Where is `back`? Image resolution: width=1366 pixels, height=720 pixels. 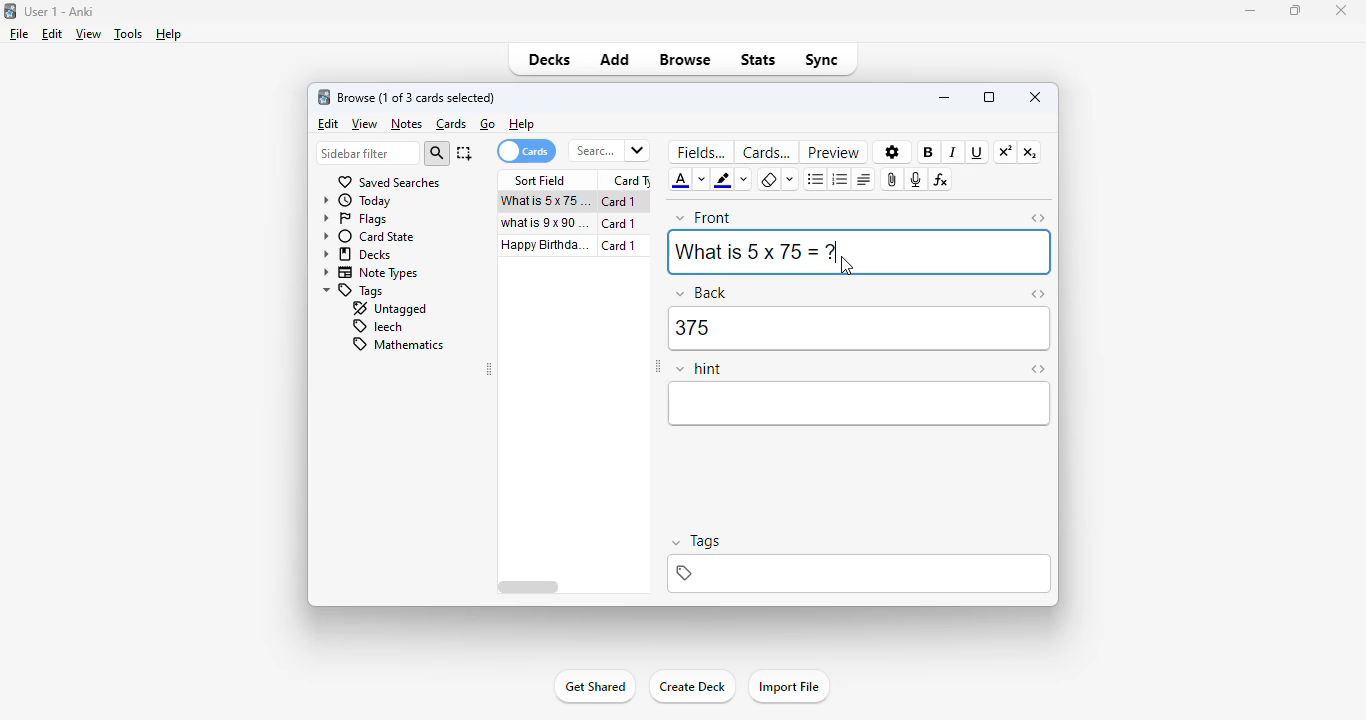
back is located at coordinates (702, 293).